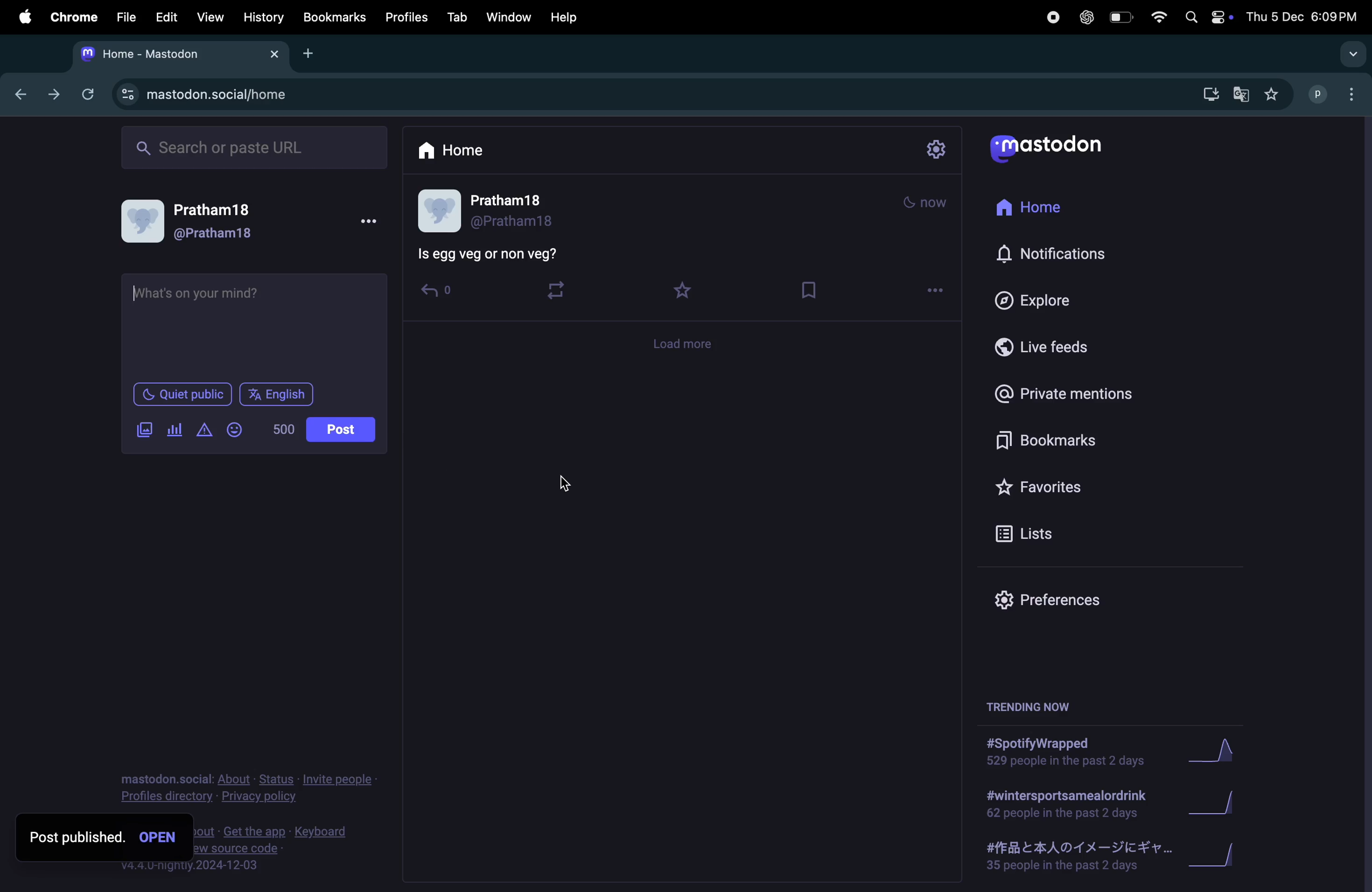 The image size is (1372, 892). I want to click on reply, so click(440, 294).